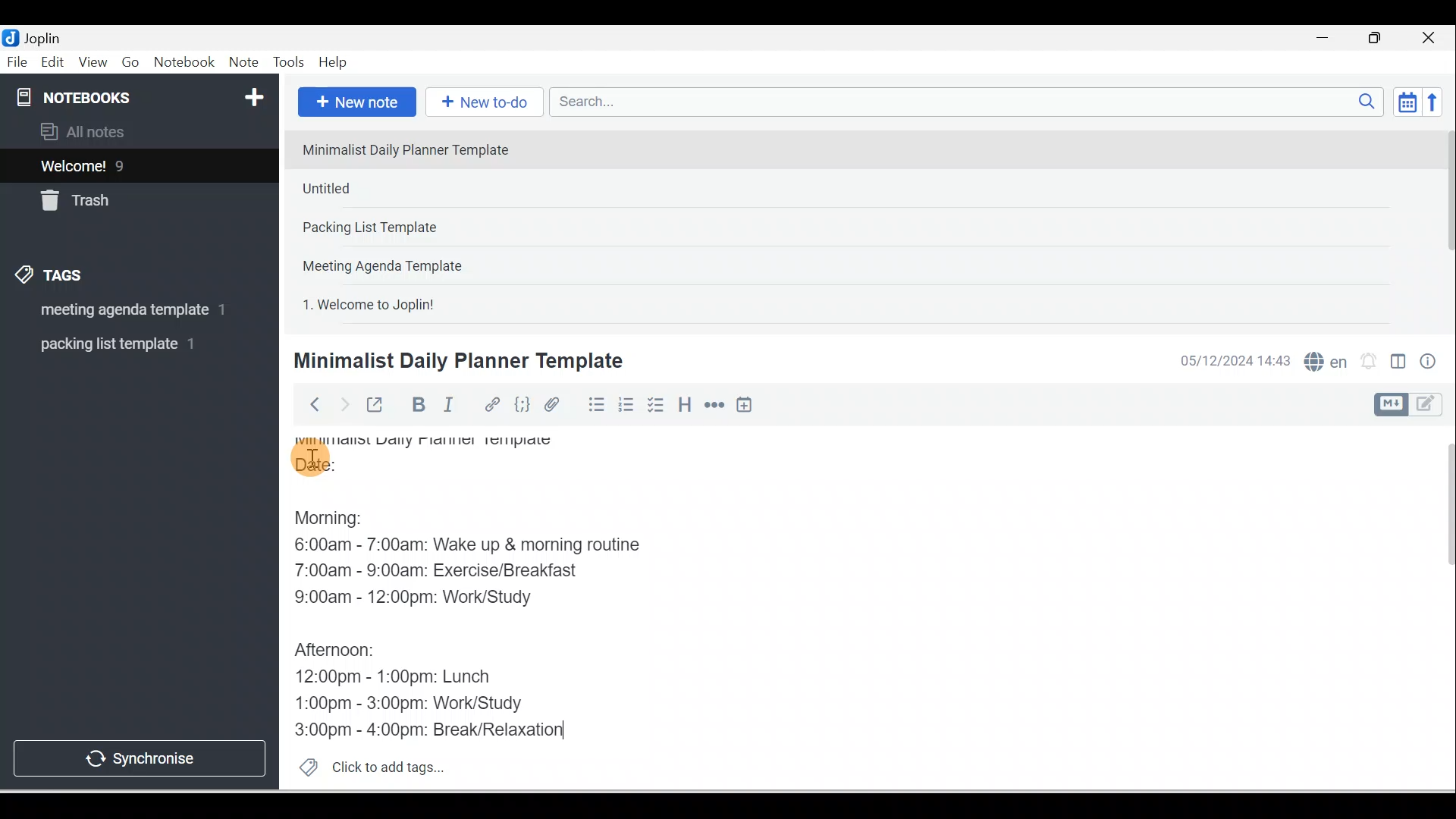  I want to click on Tools, so click(288, 62).